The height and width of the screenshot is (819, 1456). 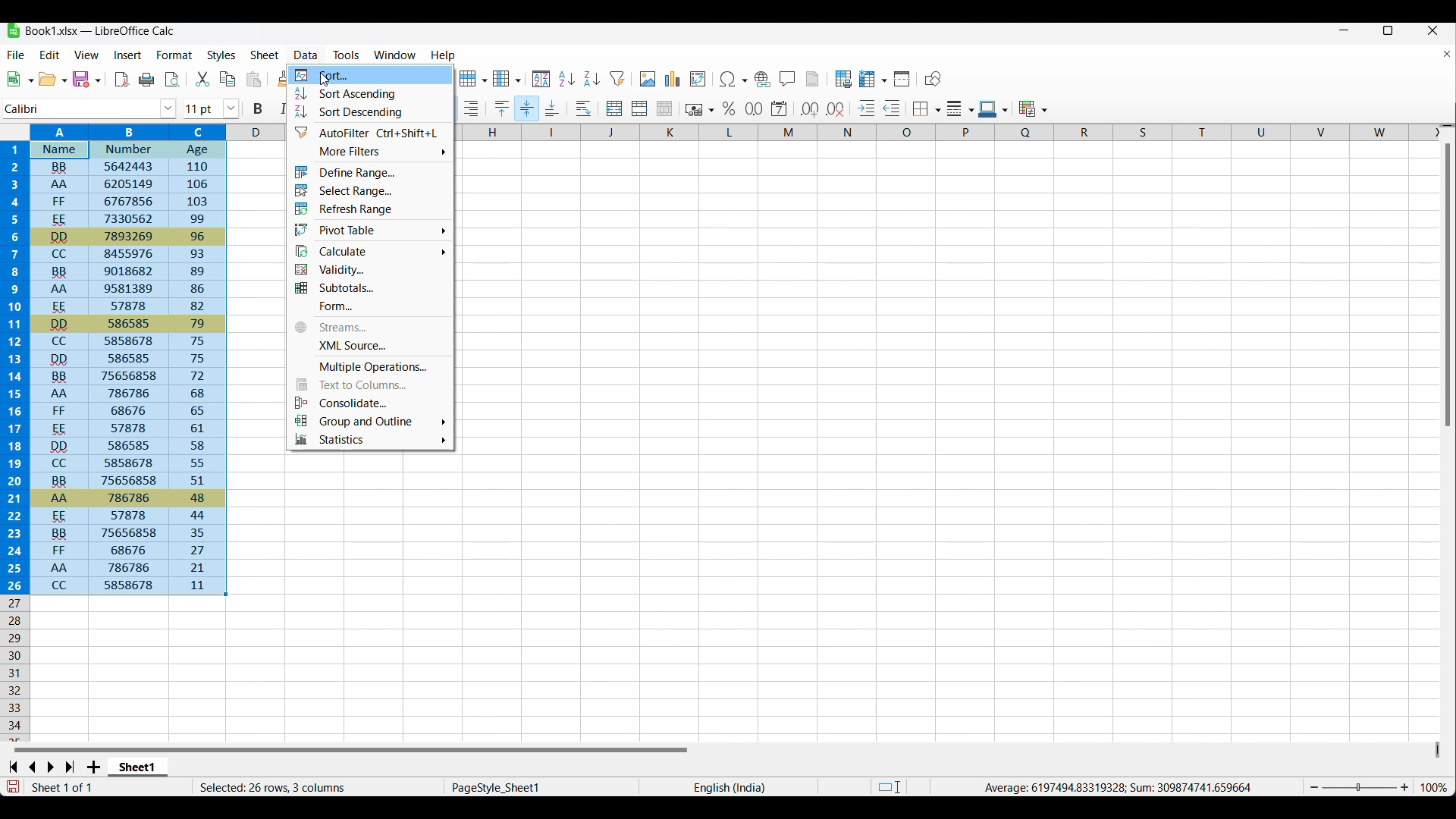 What do you see at coordinates (369, 190) in the screenshot?
I see `Select range` at bounding box center [369, 190].